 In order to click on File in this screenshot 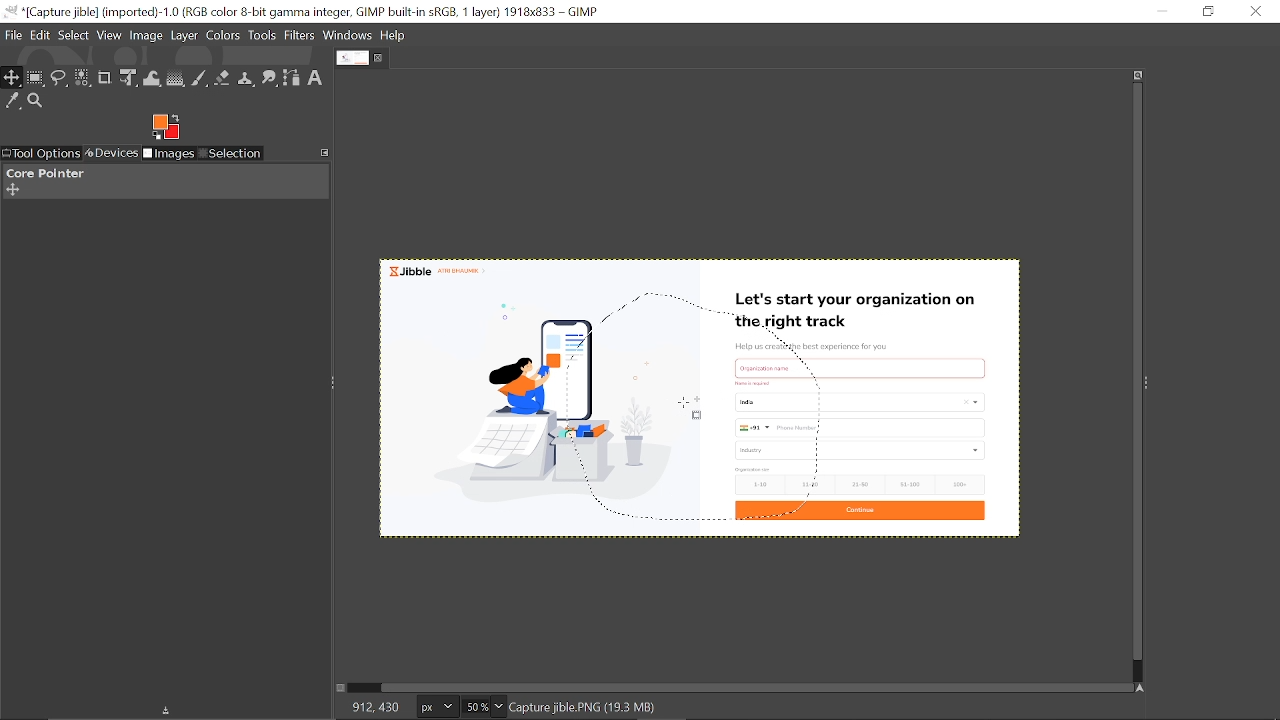, I will do `click(13, 36)`.